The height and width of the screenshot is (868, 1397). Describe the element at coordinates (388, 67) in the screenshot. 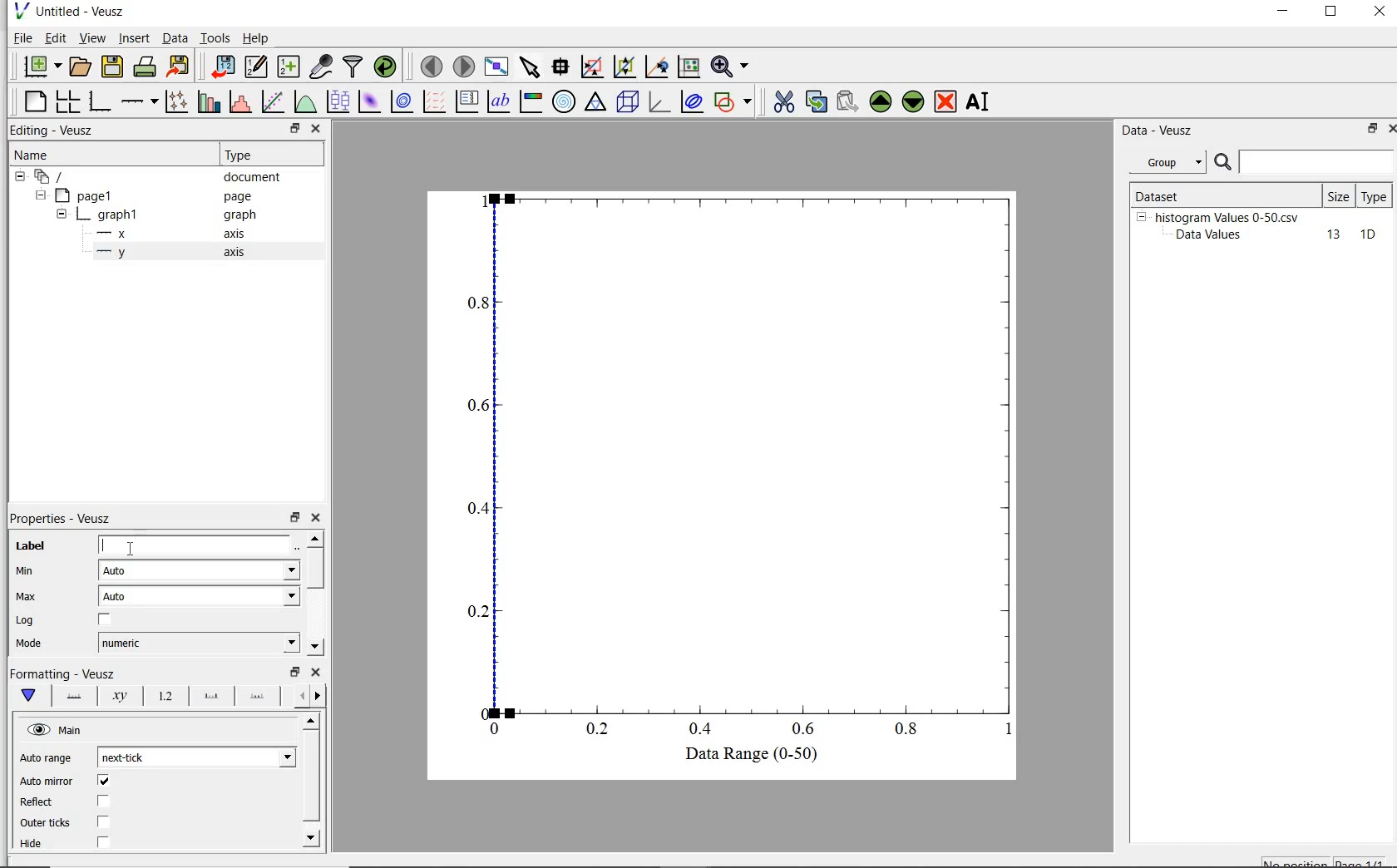

I see `reload linked datasets` at that location.